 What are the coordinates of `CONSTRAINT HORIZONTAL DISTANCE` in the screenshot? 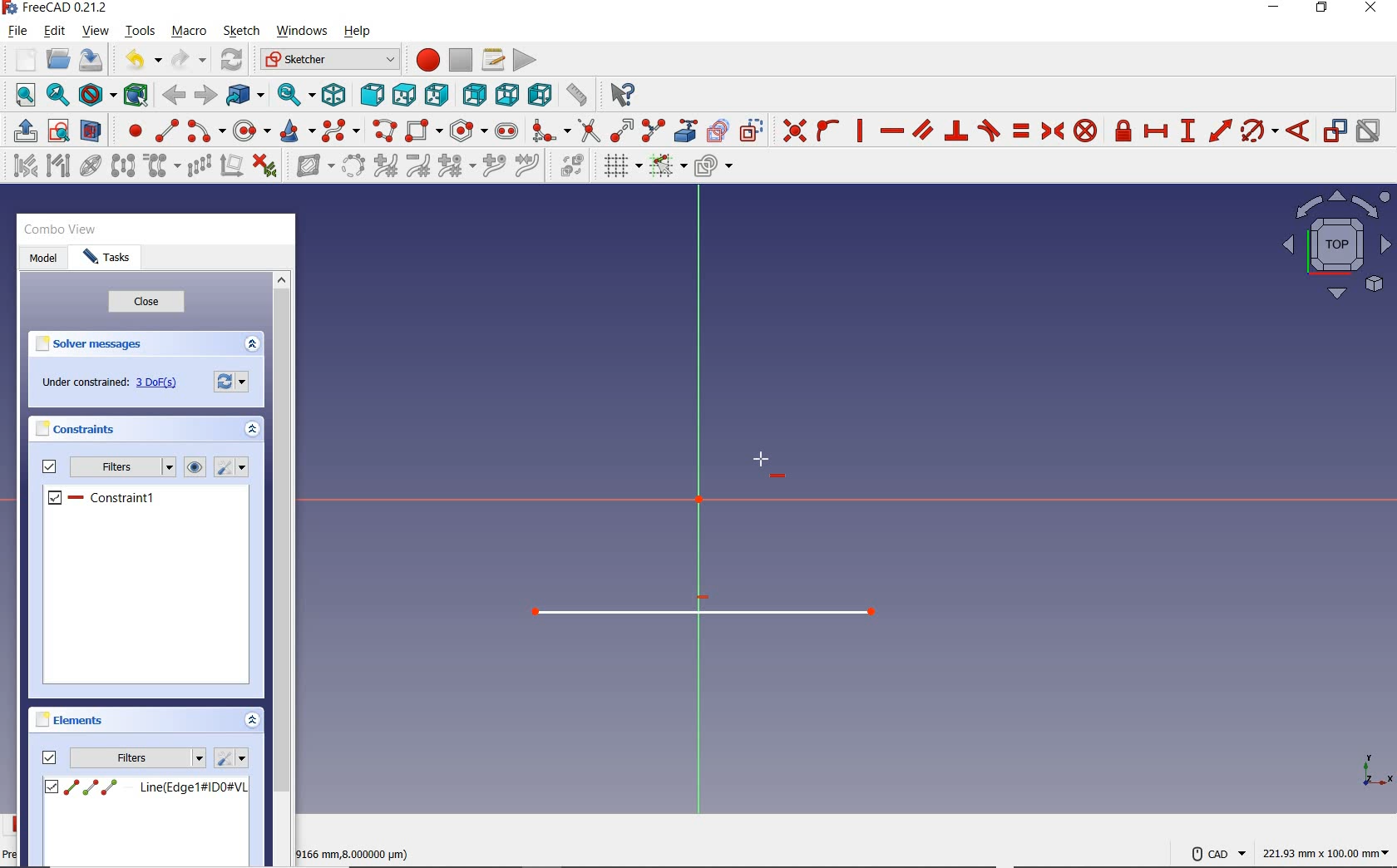 It's located at (1155, 132).